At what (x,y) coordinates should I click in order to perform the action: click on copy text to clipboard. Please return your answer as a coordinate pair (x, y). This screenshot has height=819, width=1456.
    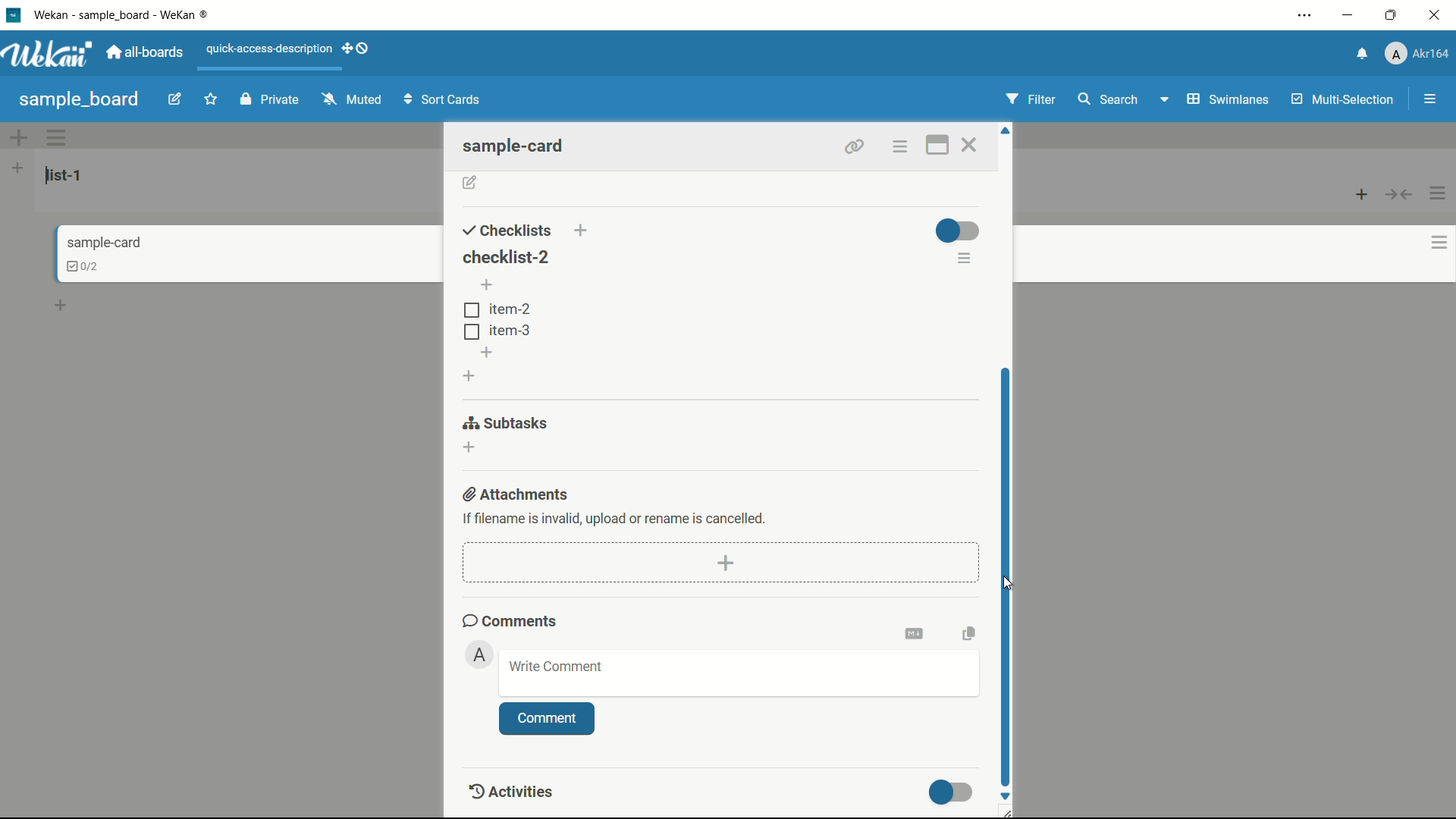
    Looking at the image, I should click on (968, 632).